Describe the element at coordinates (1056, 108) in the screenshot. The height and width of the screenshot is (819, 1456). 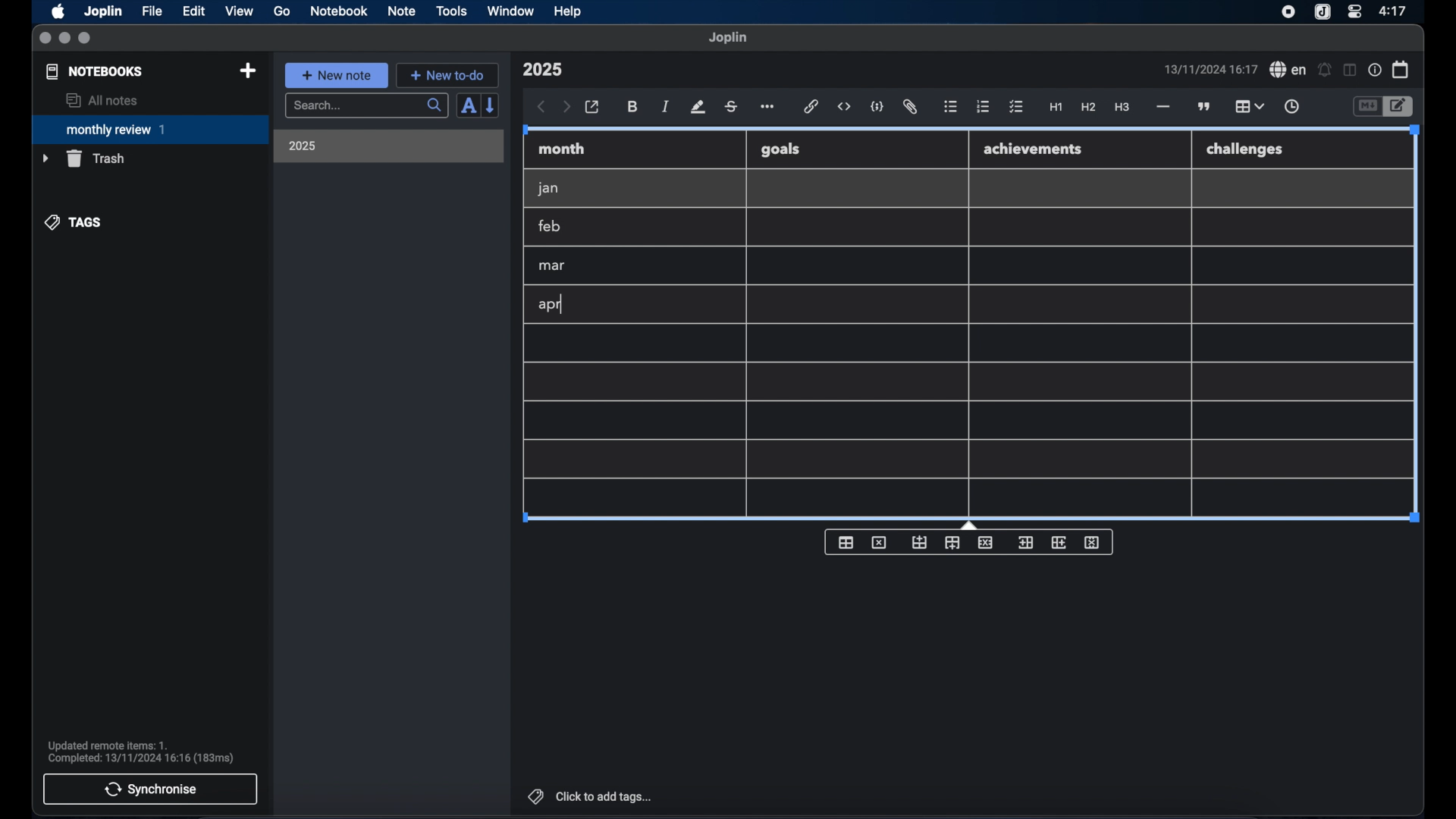
I see `heading 1` at that location.